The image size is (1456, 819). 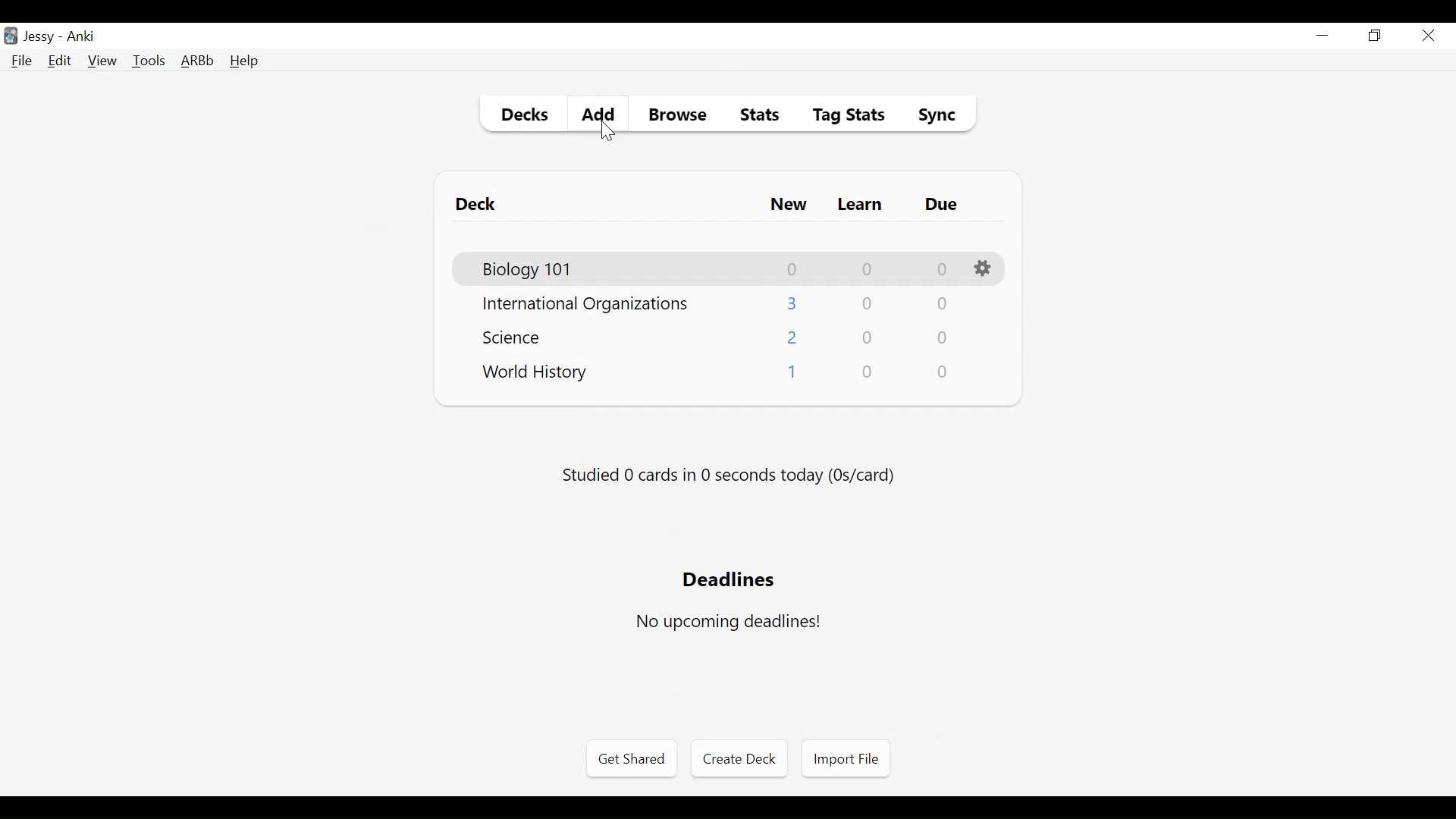 I want to click on Deadlines, so click(x=730, y=579).